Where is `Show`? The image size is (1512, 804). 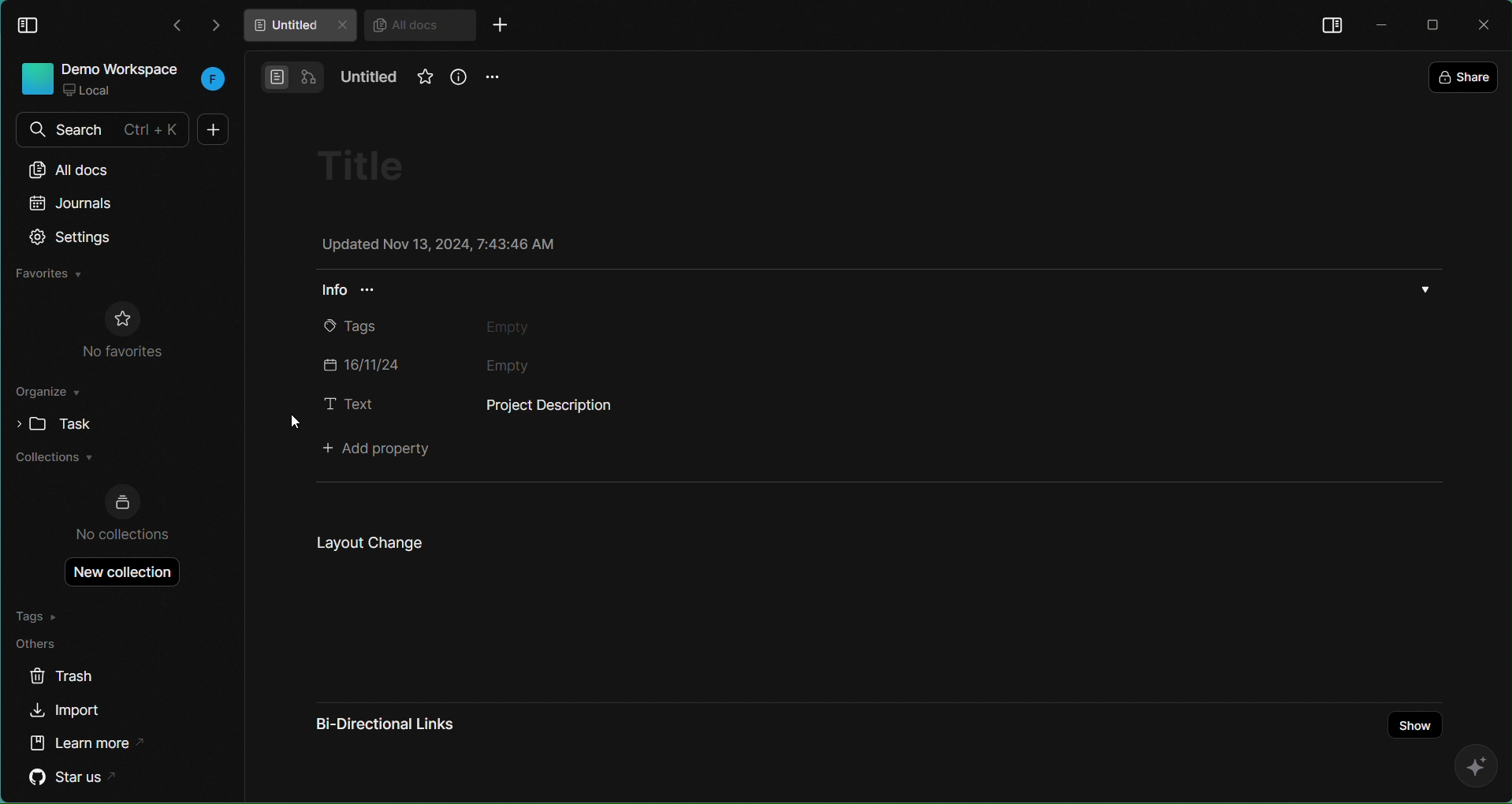 Show is located at coordinates (1409, 712).